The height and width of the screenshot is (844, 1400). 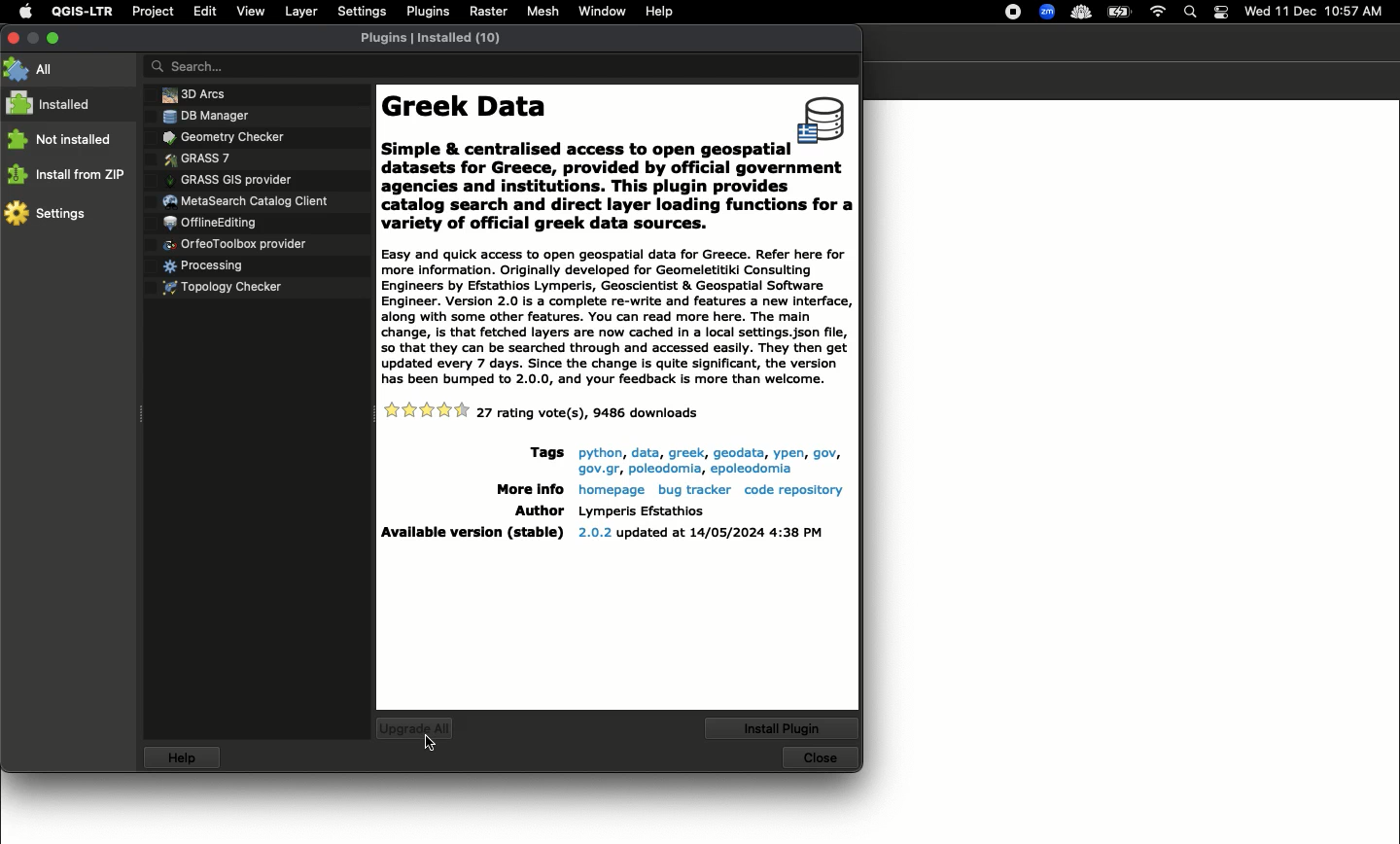 I want to click on Greek data, so click(x=618, y=200).